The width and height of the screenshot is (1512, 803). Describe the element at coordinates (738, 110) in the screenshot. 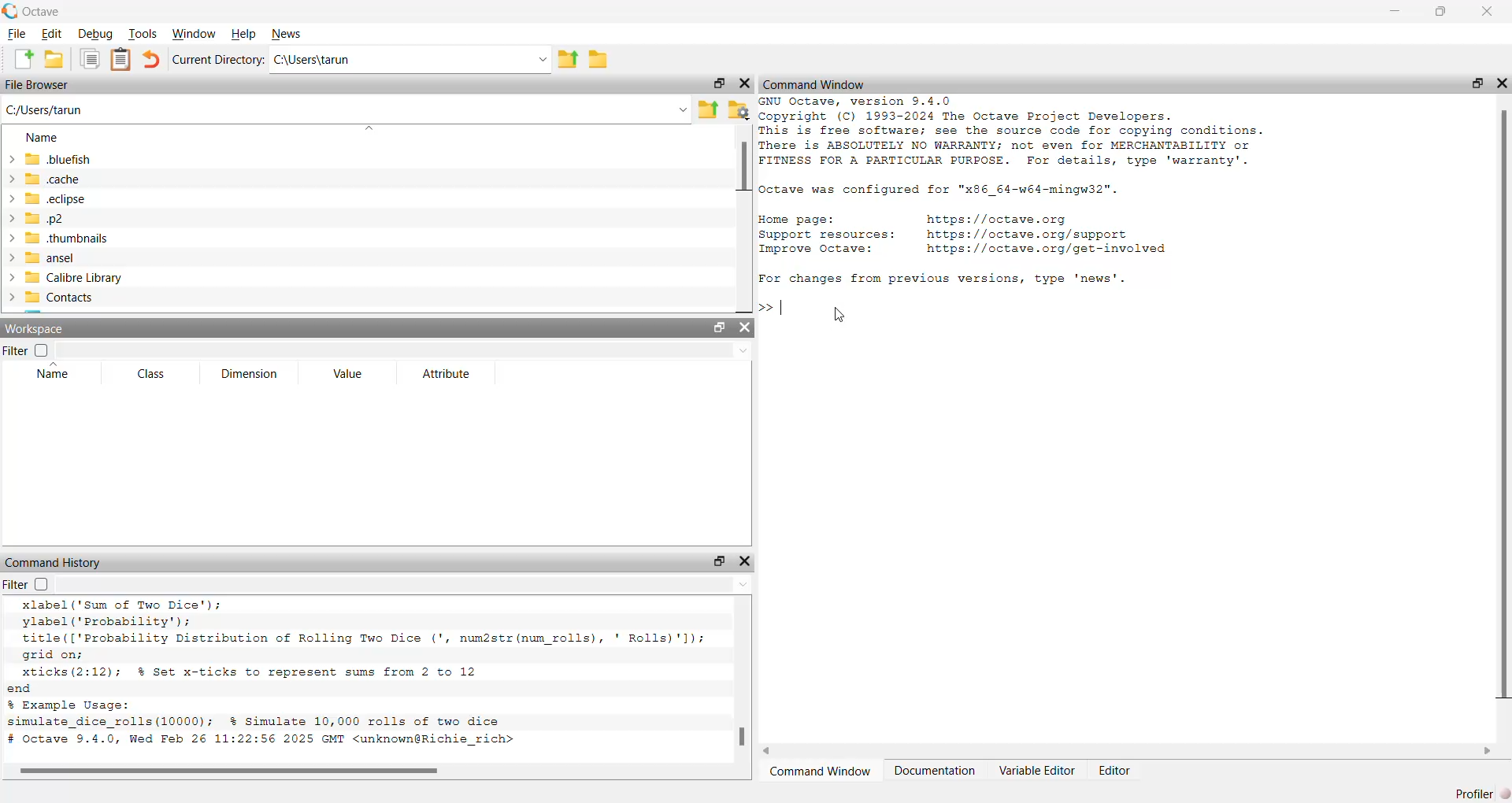

I see `Folder settings` at that location.